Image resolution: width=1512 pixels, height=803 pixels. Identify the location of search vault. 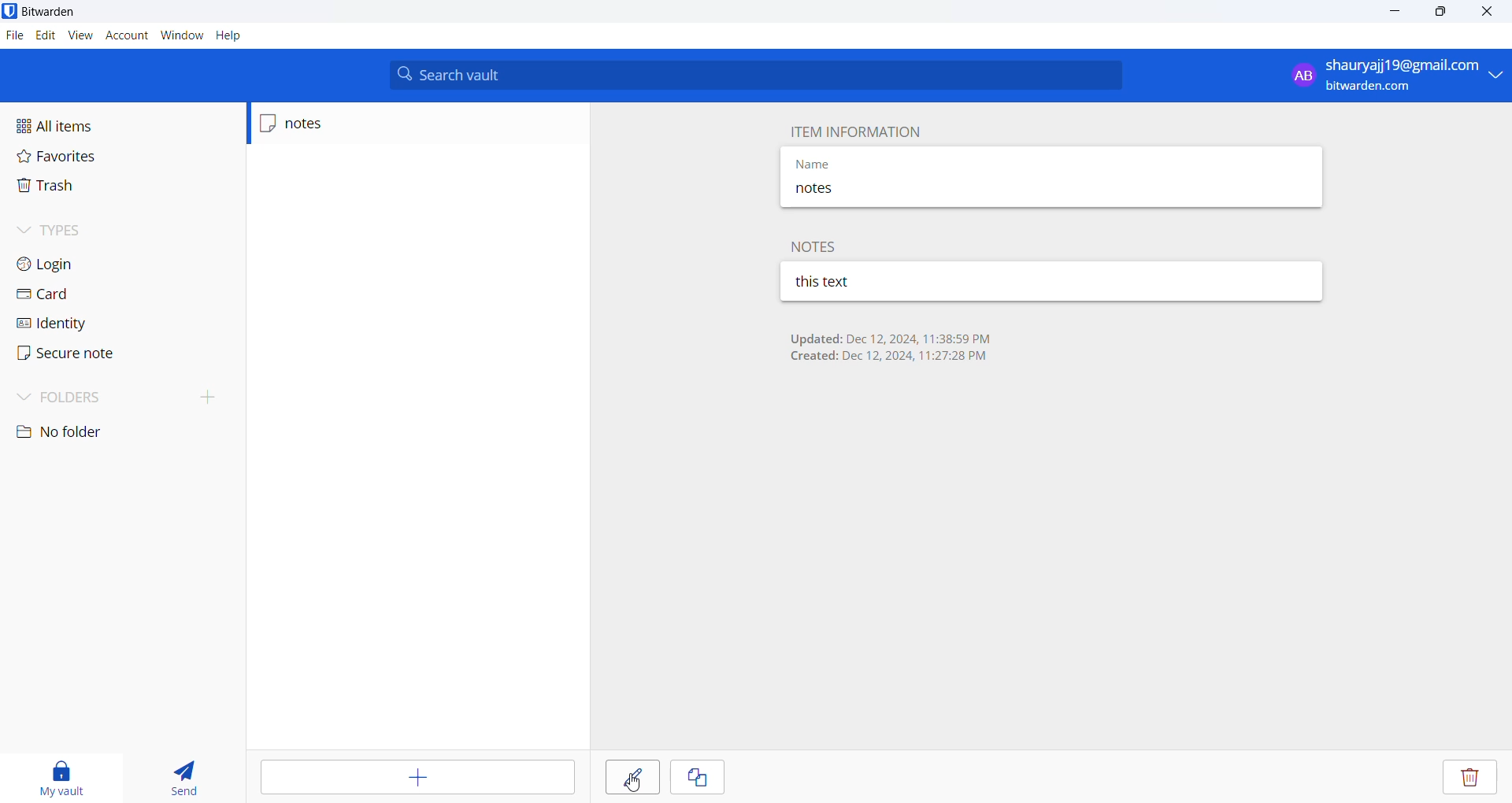
(758, 75).